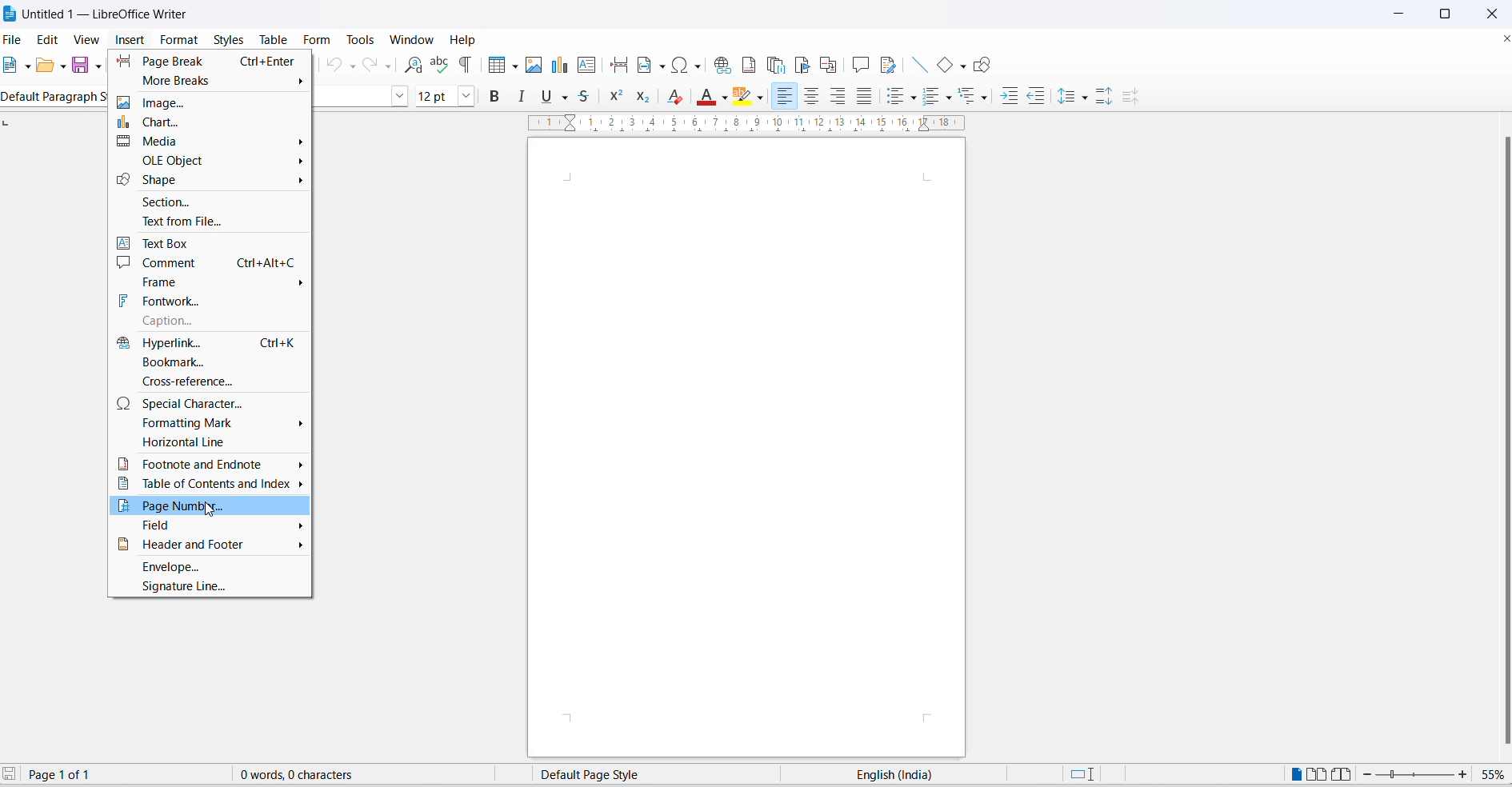 The width and height of the screenshot is (1512, 787). Describe the element at coordinates (209, 222) in the screenshot. I see `text from file` at that location.